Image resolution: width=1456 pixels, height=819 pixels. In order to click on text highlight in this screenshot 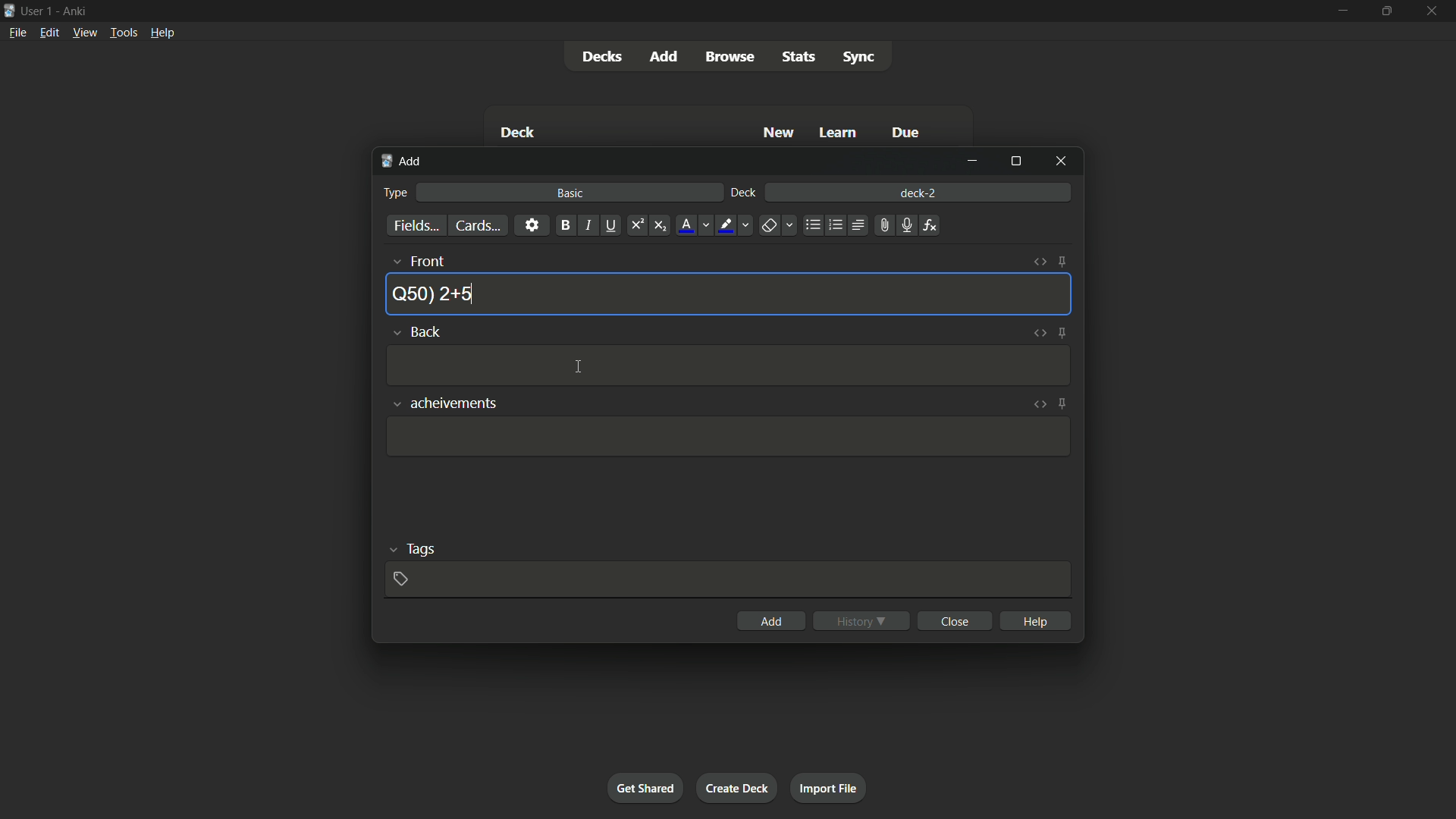, I will do `click(736, 226)`.